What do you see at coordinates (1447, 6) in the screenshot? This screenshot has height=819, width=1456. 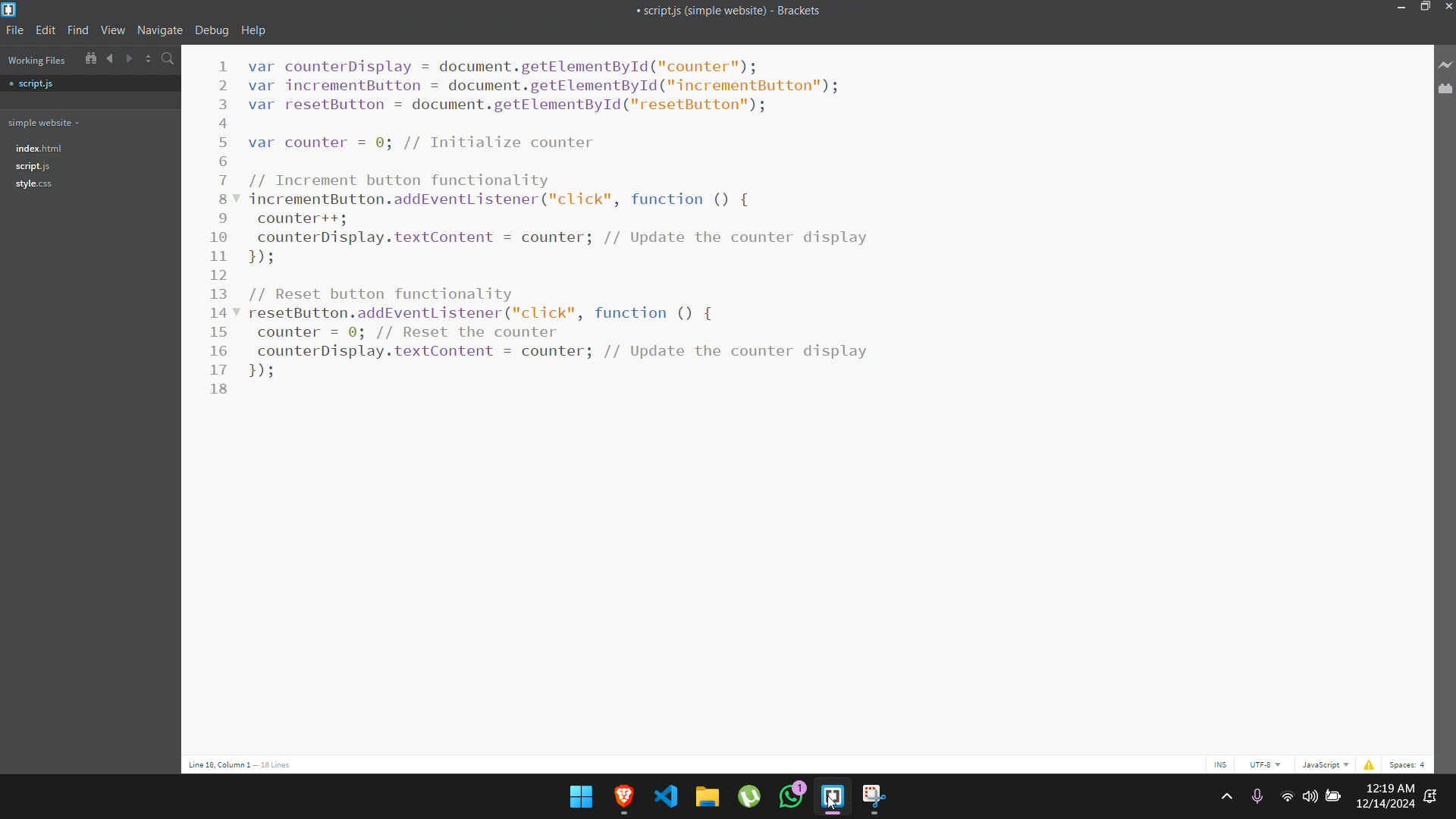 I see `close` at bounding box center [1447, 6].